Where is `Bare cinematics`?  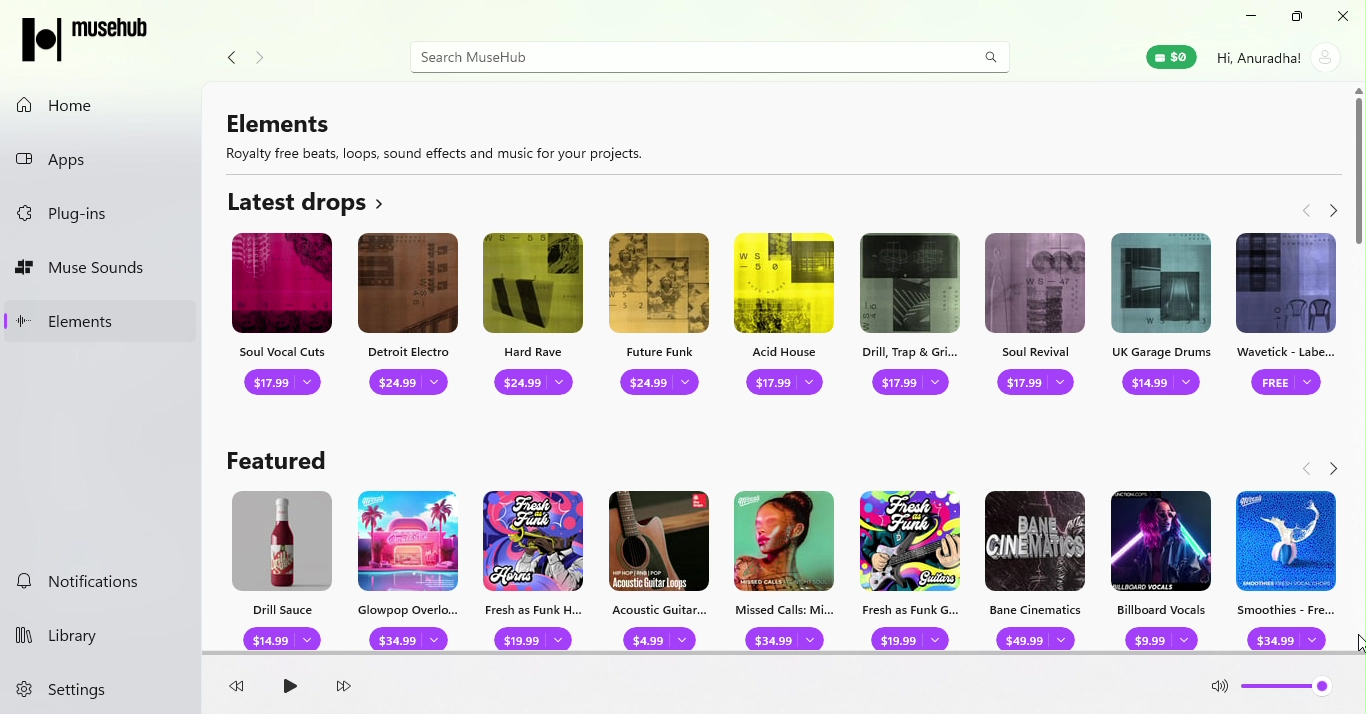 Bare cinematics is located at coordinates (1037, 564).